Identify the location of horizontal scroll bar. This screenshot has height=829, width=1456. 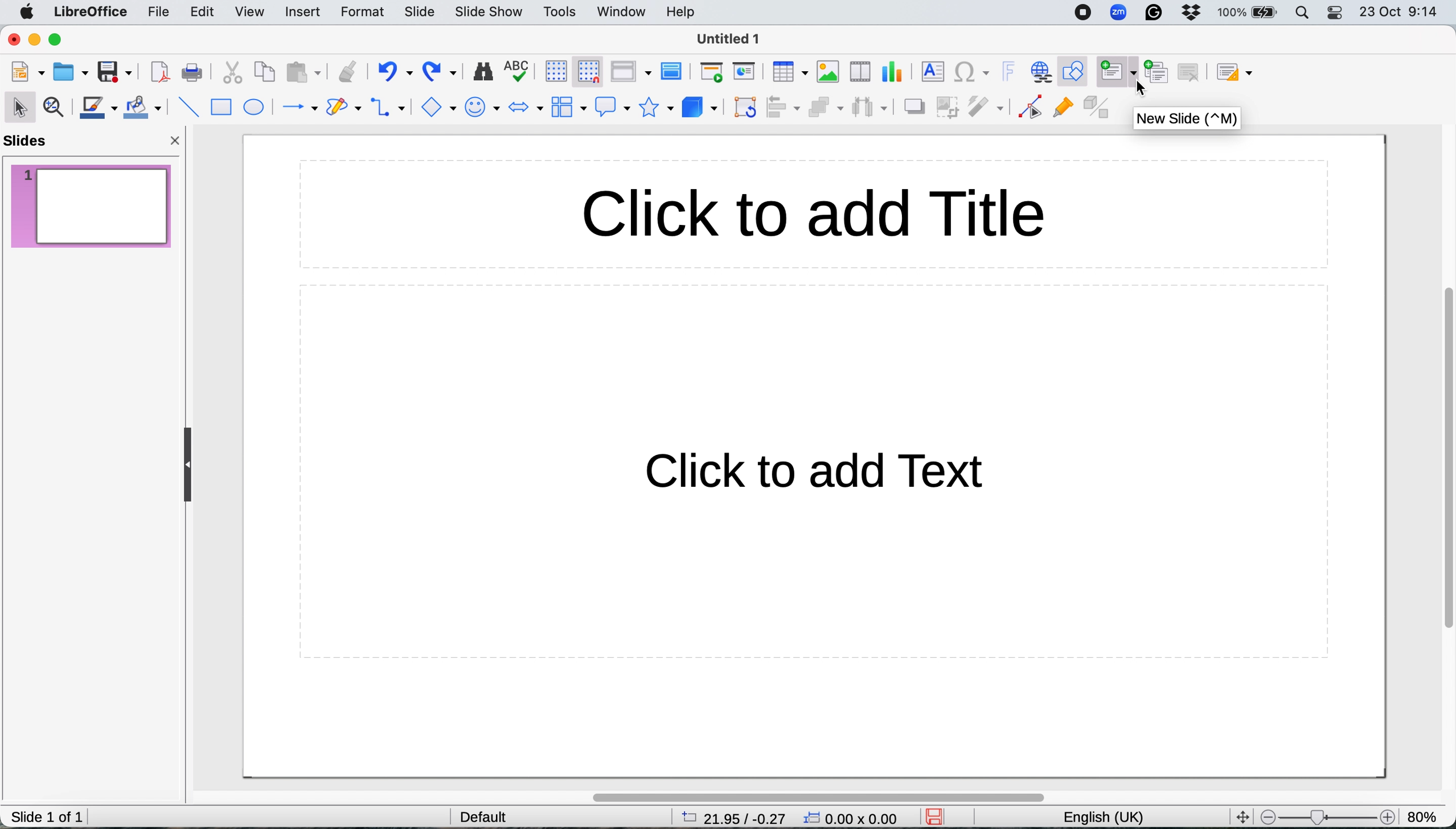
(841, 793).